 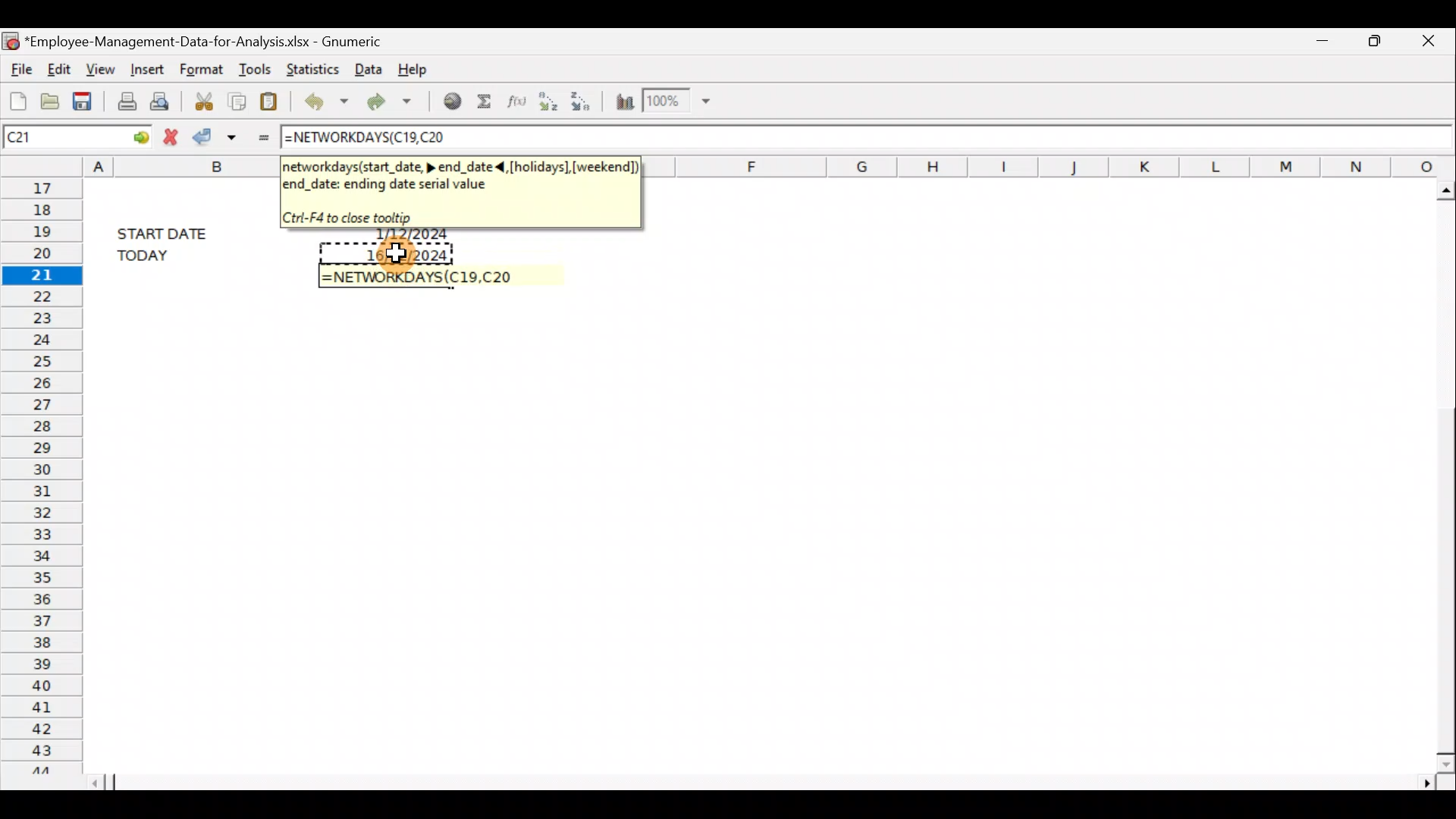 What do you see at coordinates (679, 102) in the screenshot?
I see `Zoom` at bounding box center [679, 102].